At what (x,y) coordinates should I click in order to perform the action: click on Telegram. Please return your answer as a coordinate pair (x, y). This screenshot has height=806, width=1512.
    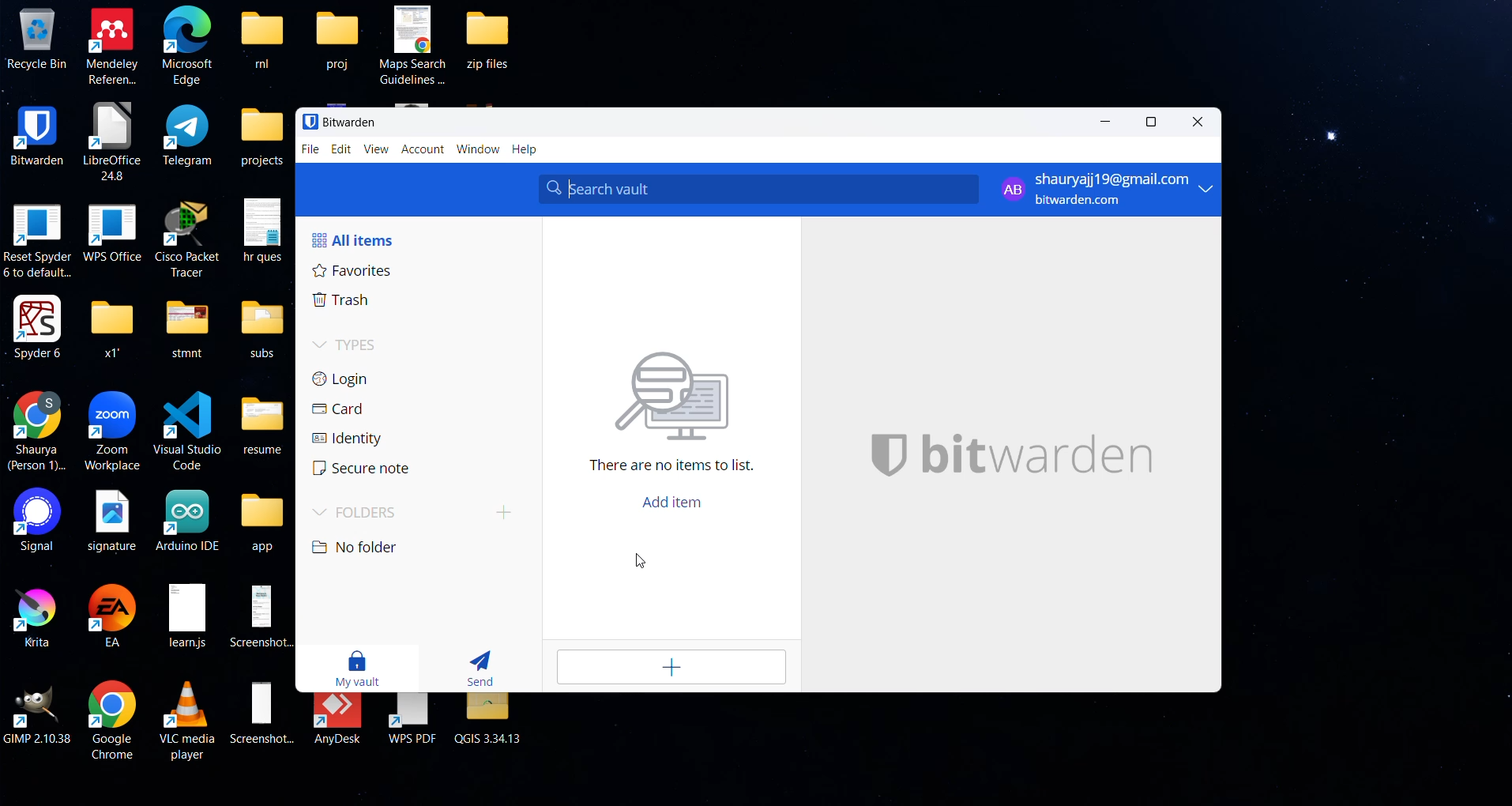
    Looking at the image, I should click on (189, 134).